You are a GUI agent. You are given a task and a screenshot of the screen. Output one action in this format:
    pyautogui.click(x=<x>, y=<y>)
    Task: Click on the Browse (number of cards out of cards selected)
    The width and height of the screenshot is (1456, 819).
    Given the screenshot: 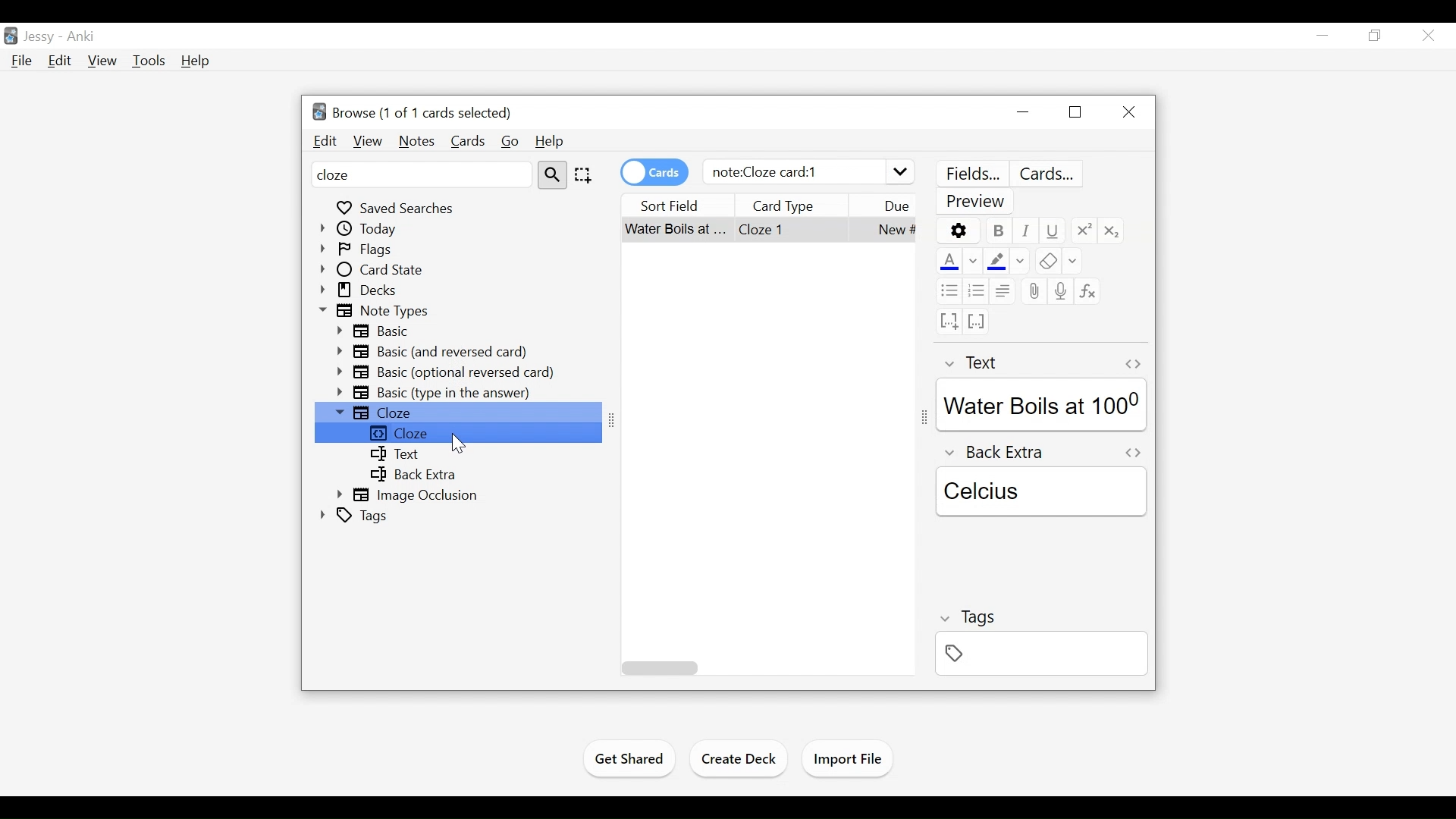 What is the action you would take?
    pyautogui.click(x=412, y=111)
    